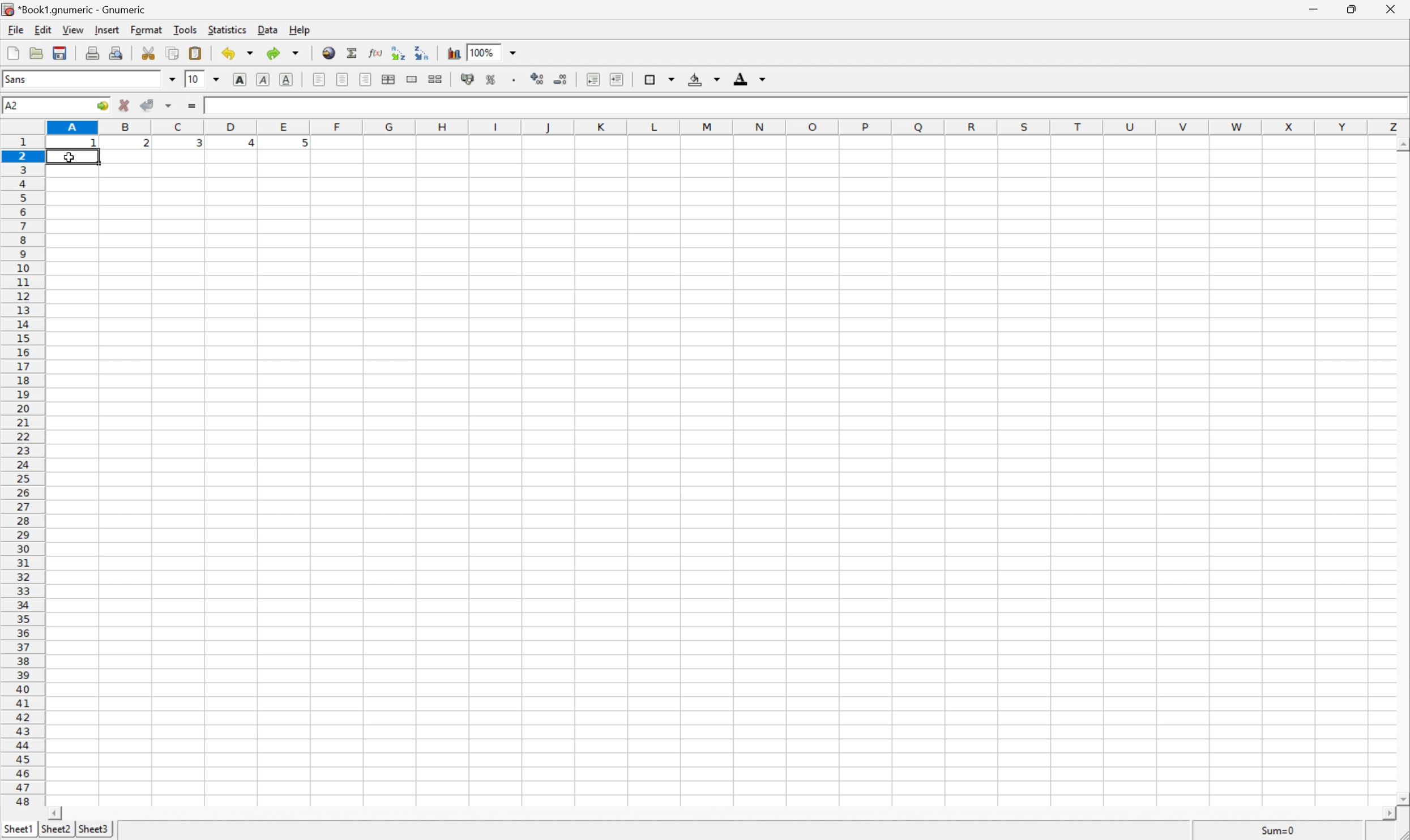 The image size is (1410, 840). Describe the element at coordinates (297, 29) in the screenshot. I see `help` at that location.